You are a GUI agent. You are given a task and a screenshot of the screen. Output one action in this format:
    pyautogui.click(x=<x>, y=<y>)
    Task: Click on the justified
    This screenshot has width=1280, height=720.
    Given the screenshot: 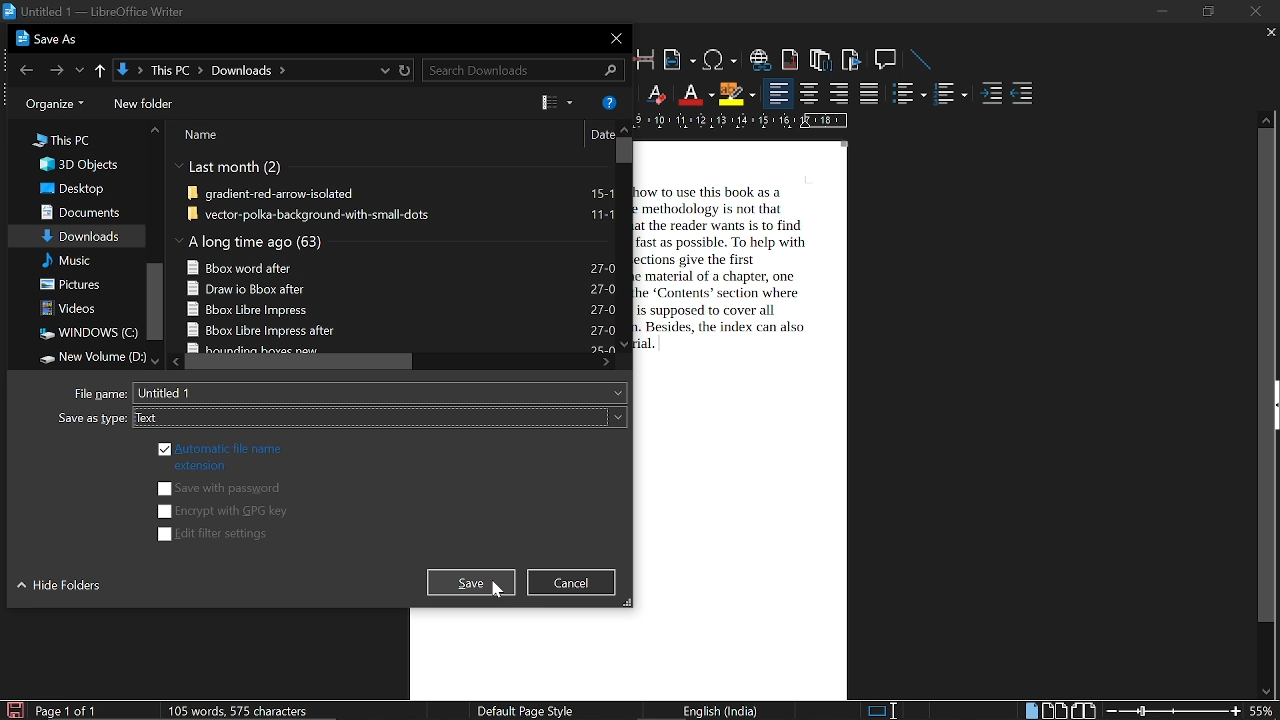 What is the action you would take?
    pyautogui.click(x=870, y=93)
    